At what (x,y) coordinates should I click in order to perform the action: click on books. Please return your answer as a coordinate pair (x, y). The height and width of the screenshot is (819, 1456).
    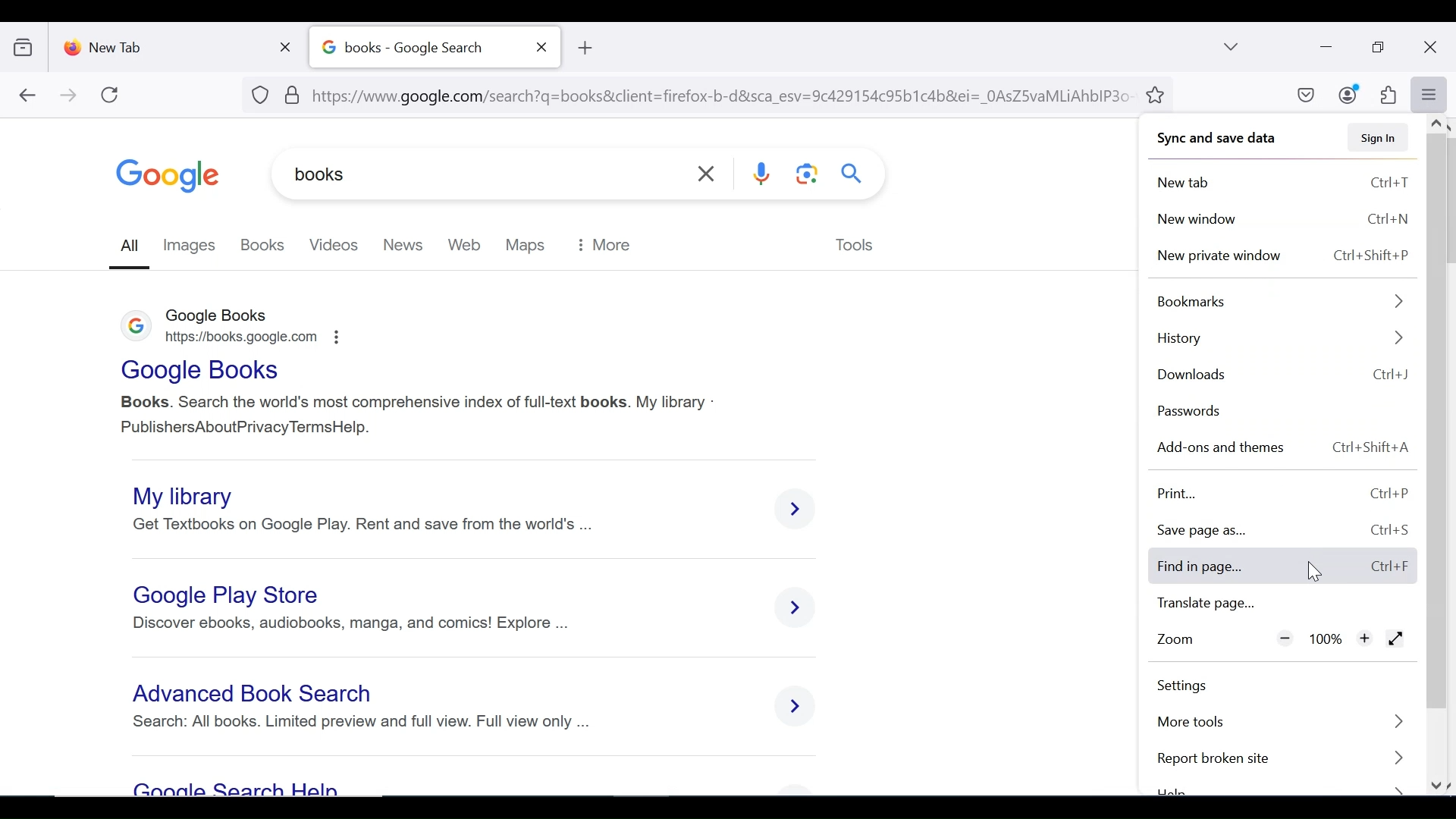
    Looking at the image, I should click on (403, 175).